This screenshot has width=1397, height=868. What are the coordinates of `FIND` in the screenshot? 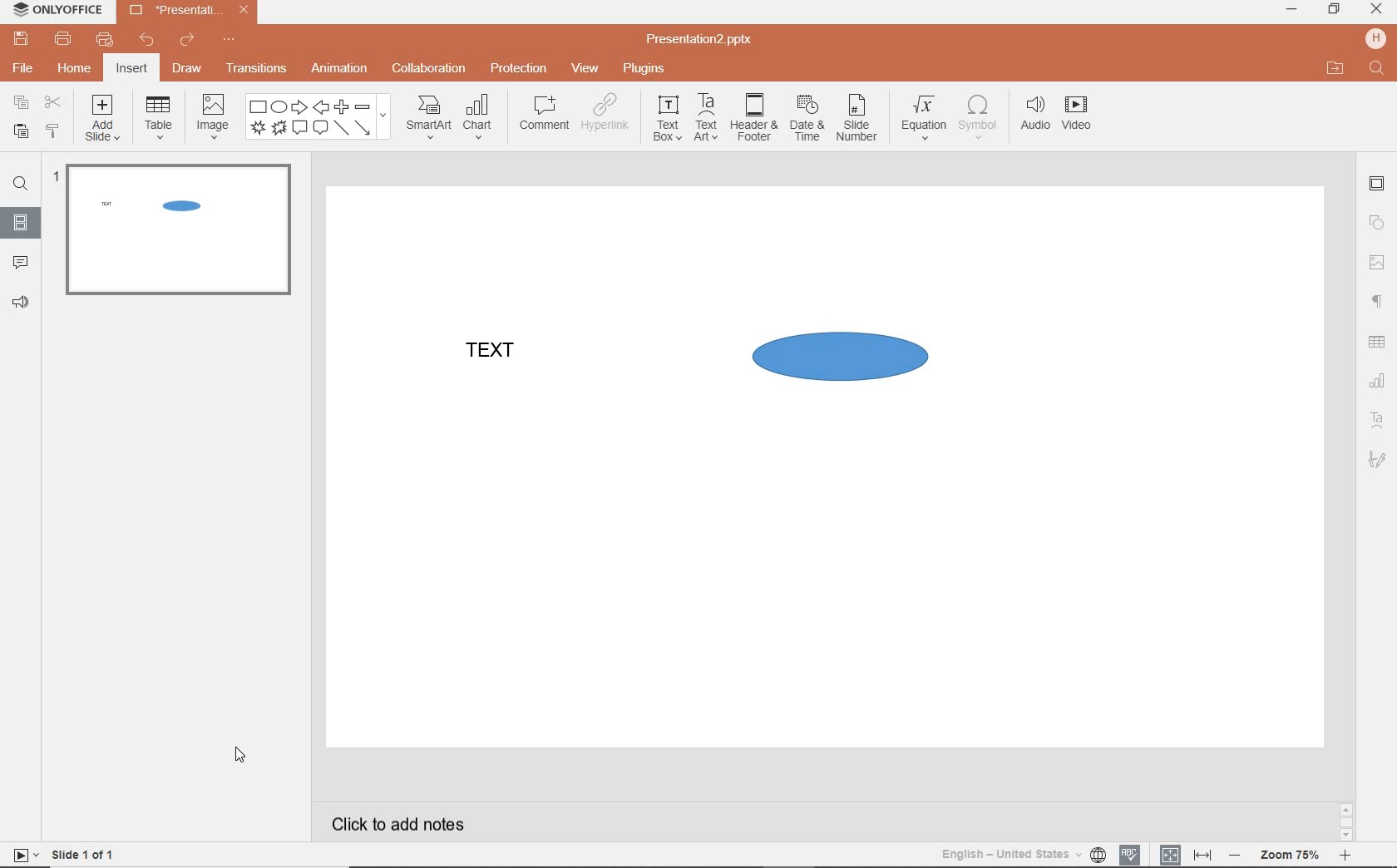 It's located at (18, 186).